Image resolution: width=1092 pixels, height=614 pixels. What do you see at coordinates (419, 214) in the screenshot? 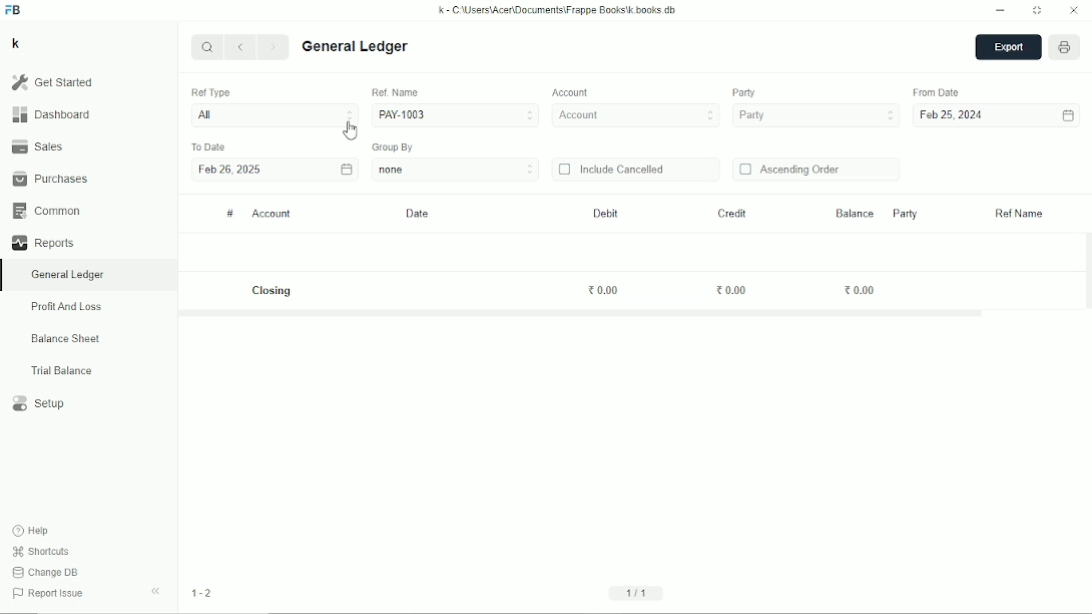
I see `Date` at bounding box center [419, 214].